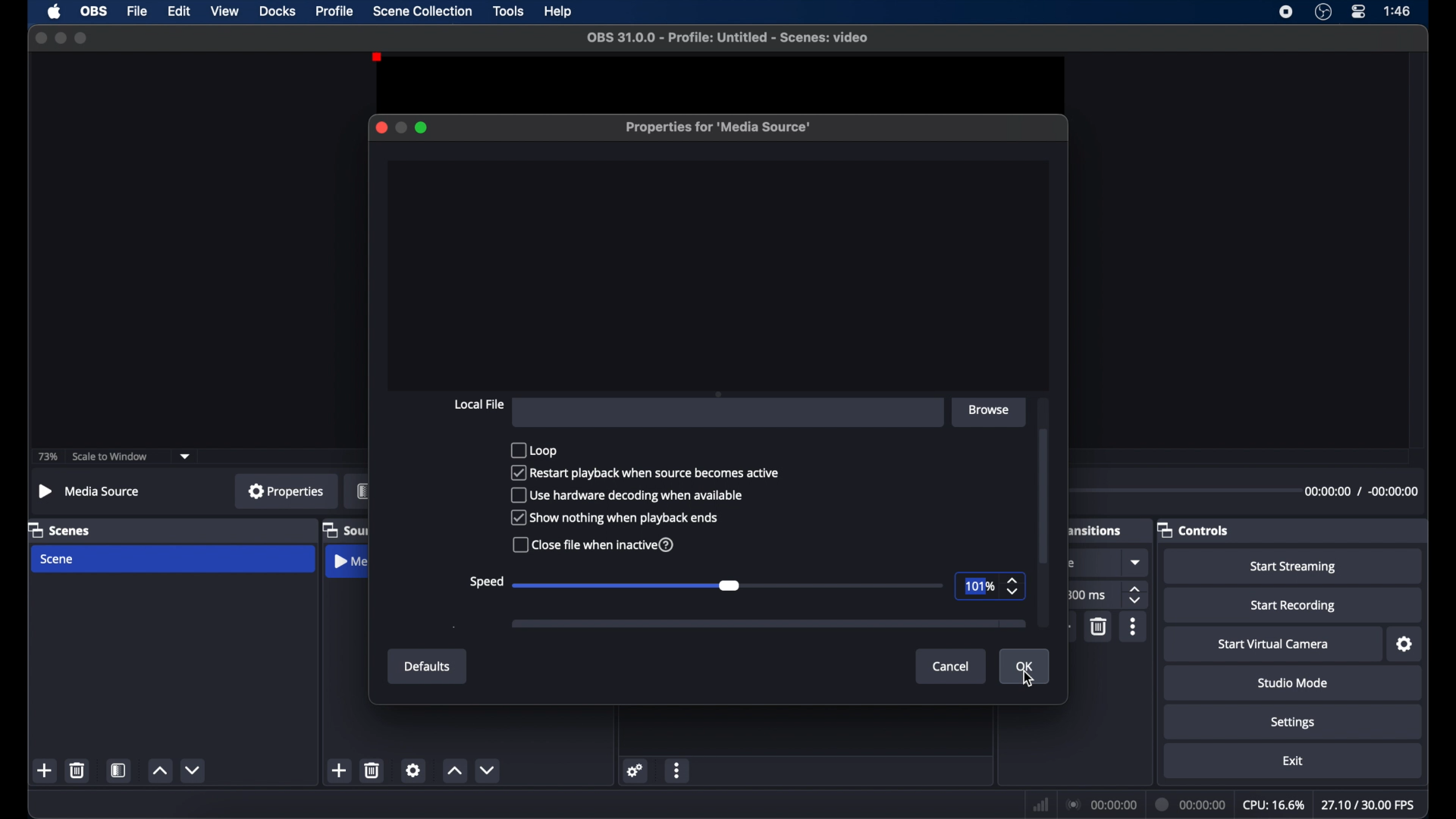 Image resolution: width=1456 pixels, height=819 pixels. Describe the element at coordinates (485, 582) in the screenshot. I see `speed` at that location.